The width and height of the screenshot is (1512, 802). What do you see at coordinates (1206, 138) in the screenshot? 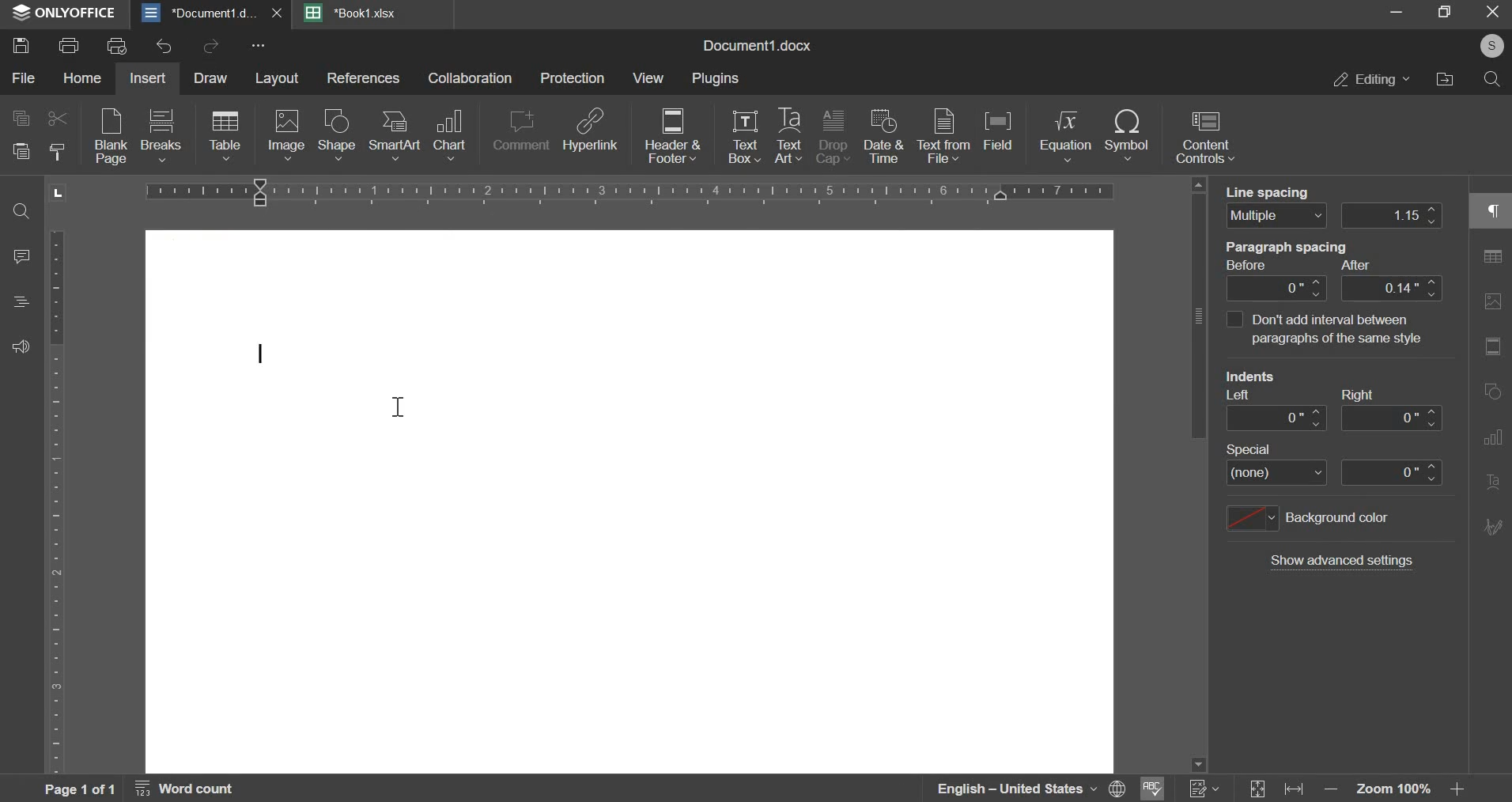
I see `content controls` at bounding box center [1206, 138].